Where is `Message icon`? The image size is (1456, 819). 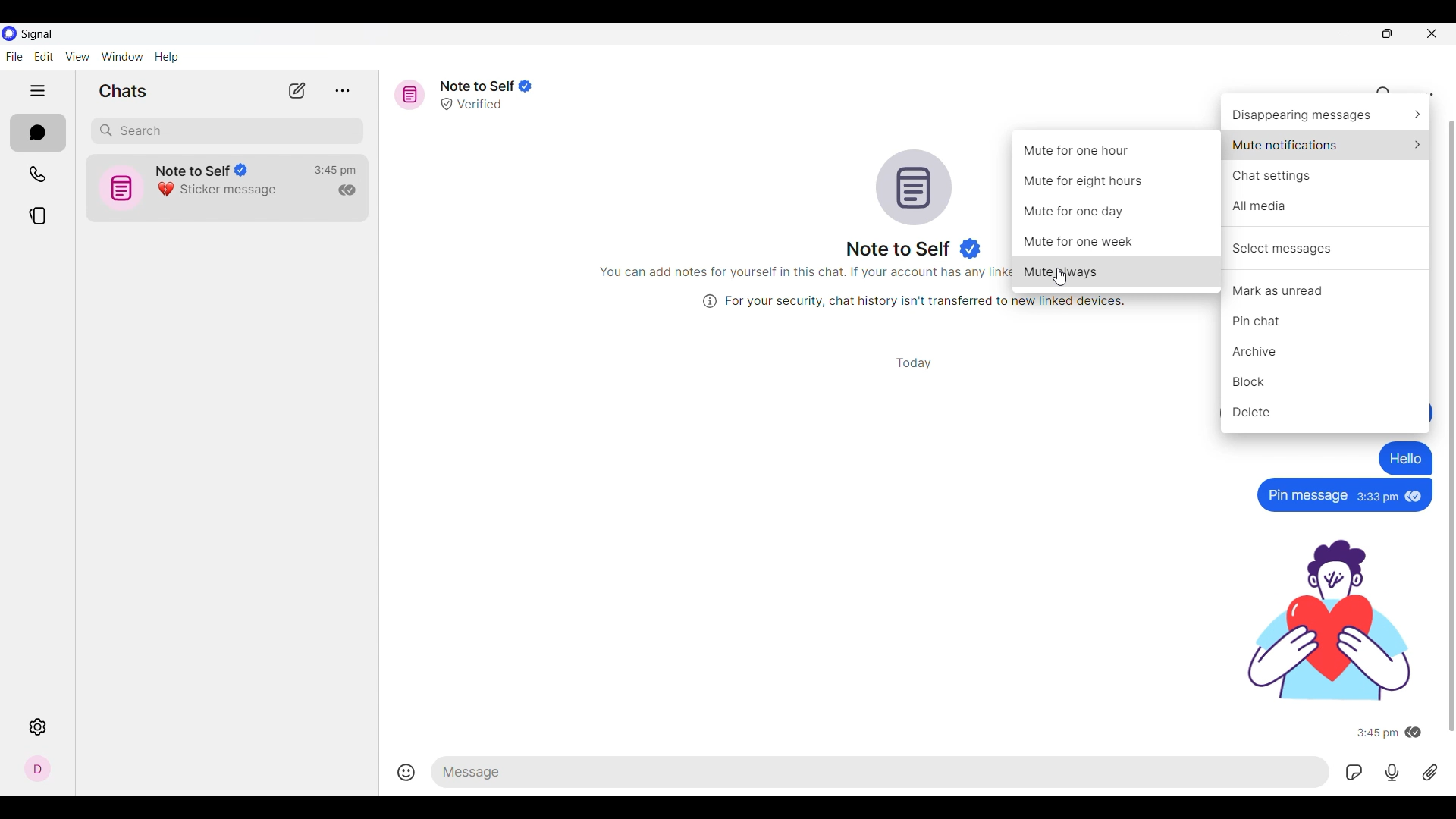
Message icon is located at coordinates (409, 95).